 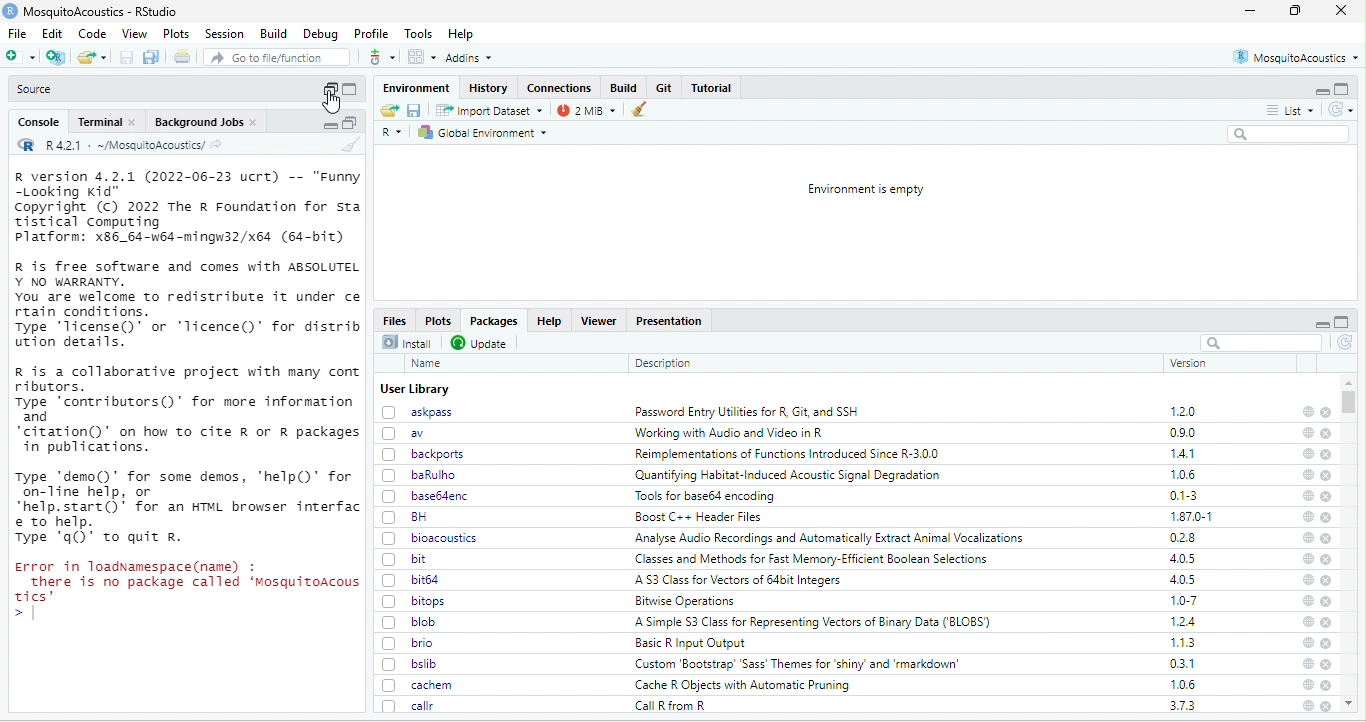 I want to click on Edit, so click(x=53, y=33).